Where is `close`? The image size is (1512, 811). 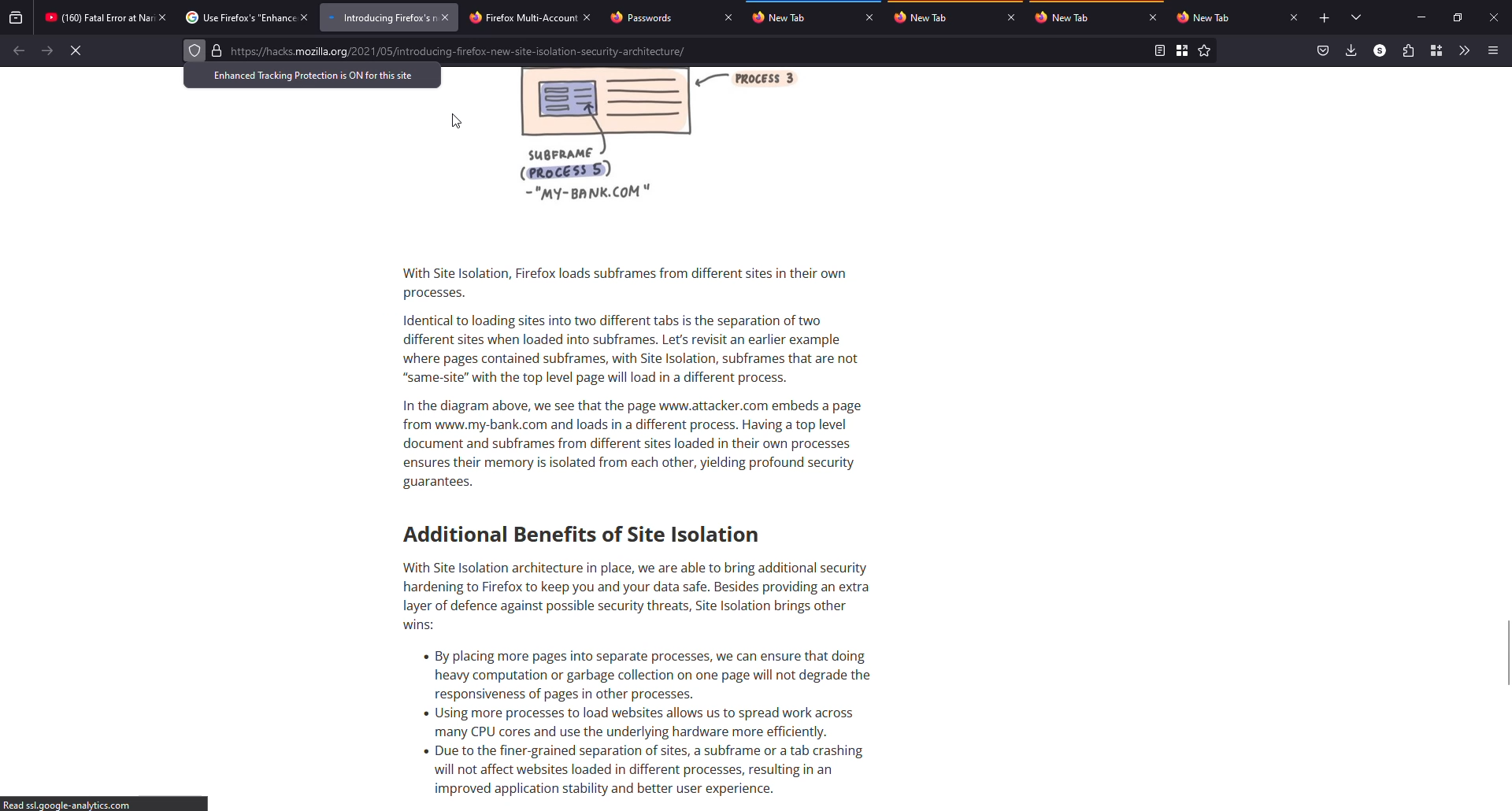
close is located at coordinates (163, 17).